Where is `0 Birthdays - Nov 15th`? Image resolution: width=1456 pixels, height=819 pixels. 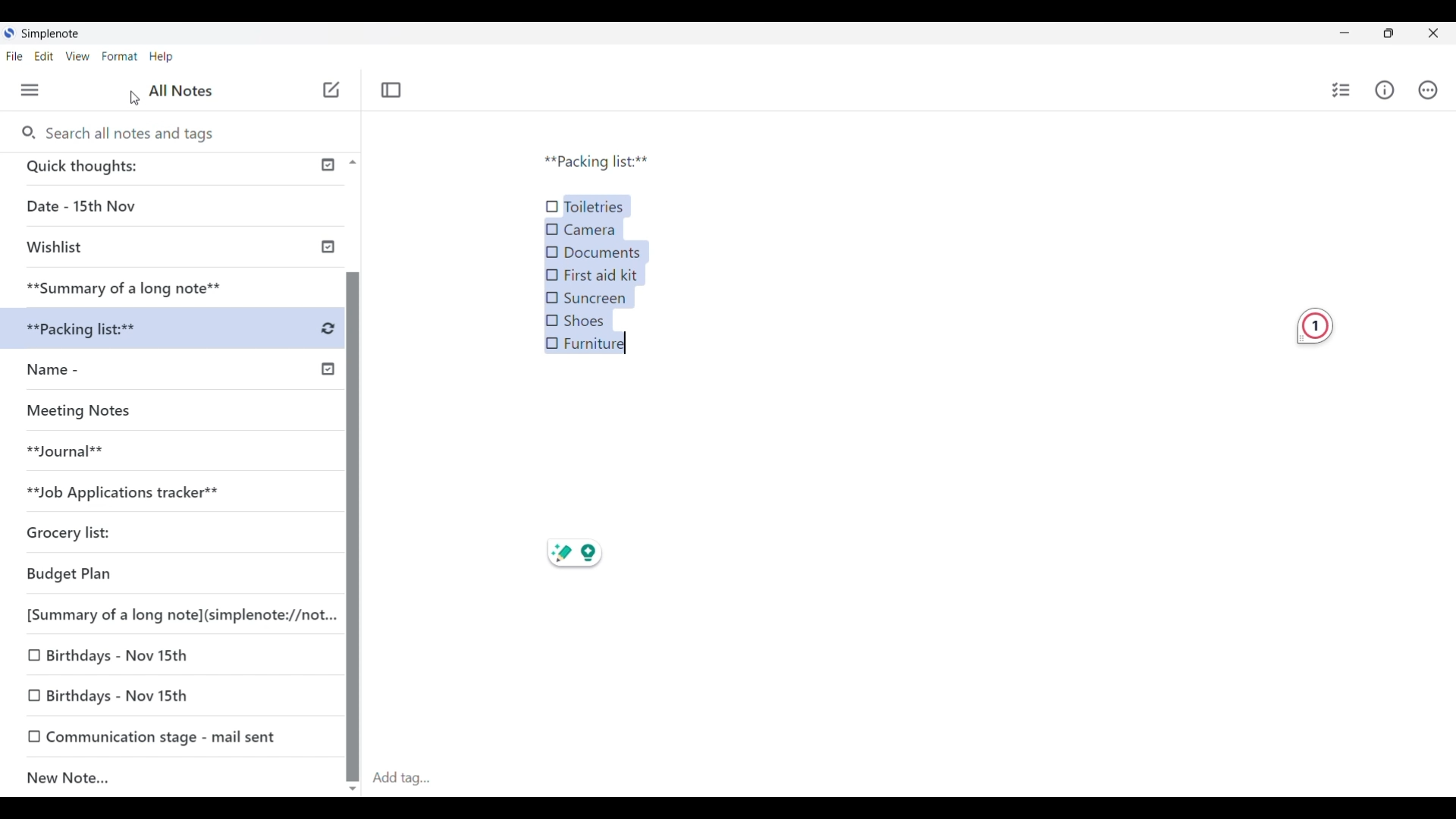
0 Birthdays - Nov 15th is located at coordinates (123, 695).